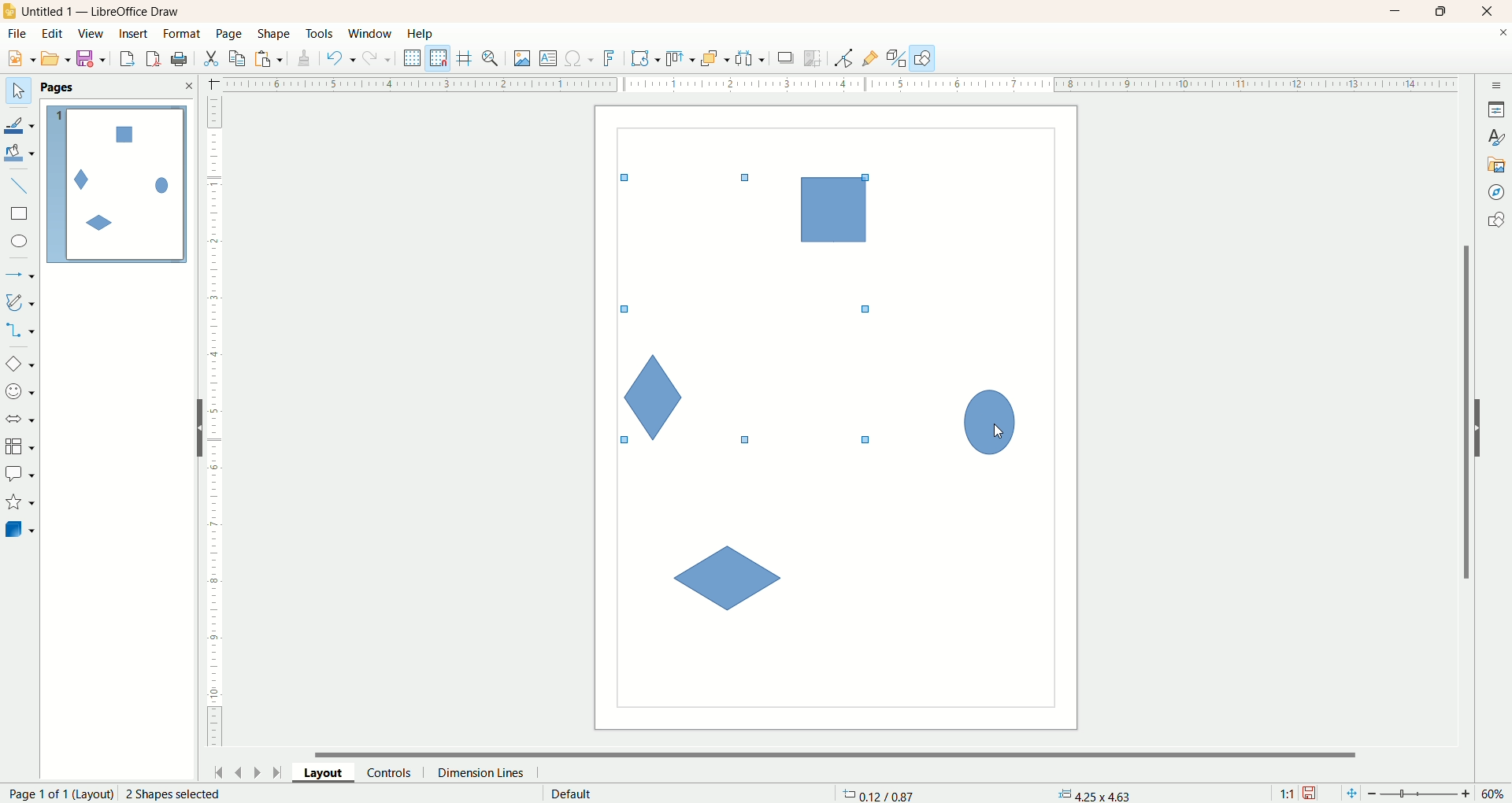 The width and height of the screenshot is (1512, 803). Describe the element at coordinates (751, 58) in the screenshot. I see `select at least three objects to distribute` at that location.